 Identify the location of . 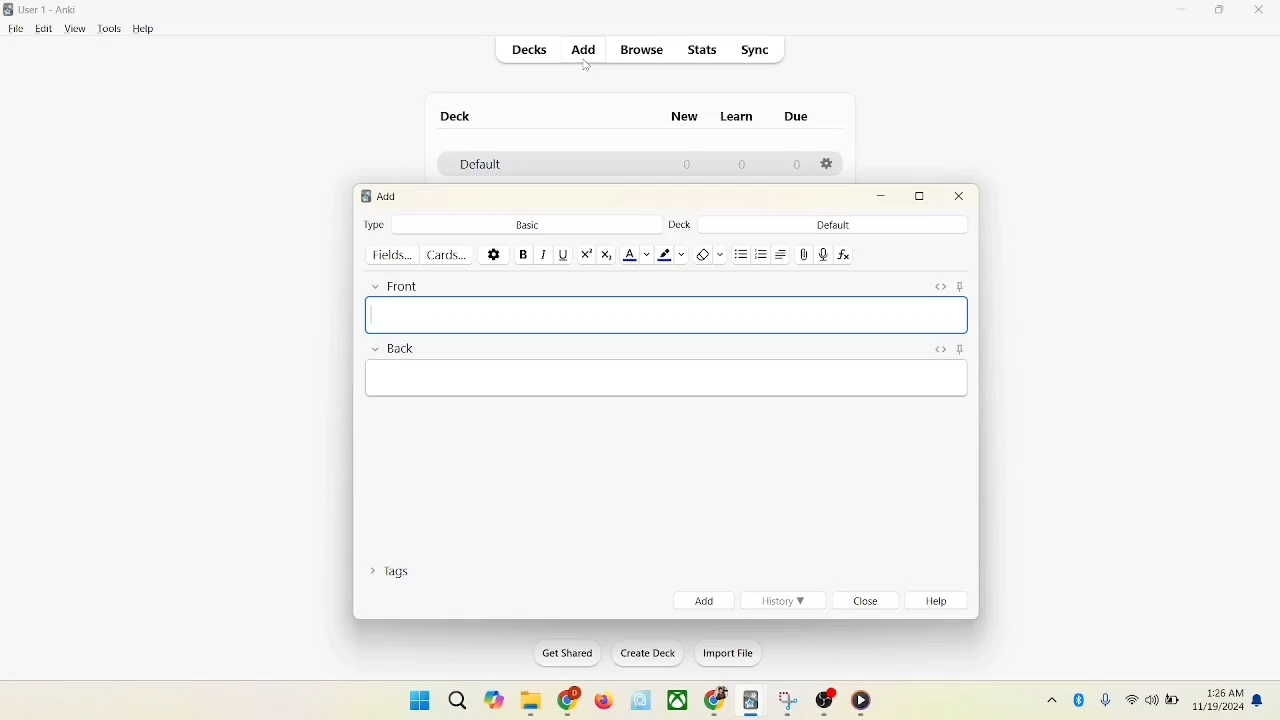
(689, 166).